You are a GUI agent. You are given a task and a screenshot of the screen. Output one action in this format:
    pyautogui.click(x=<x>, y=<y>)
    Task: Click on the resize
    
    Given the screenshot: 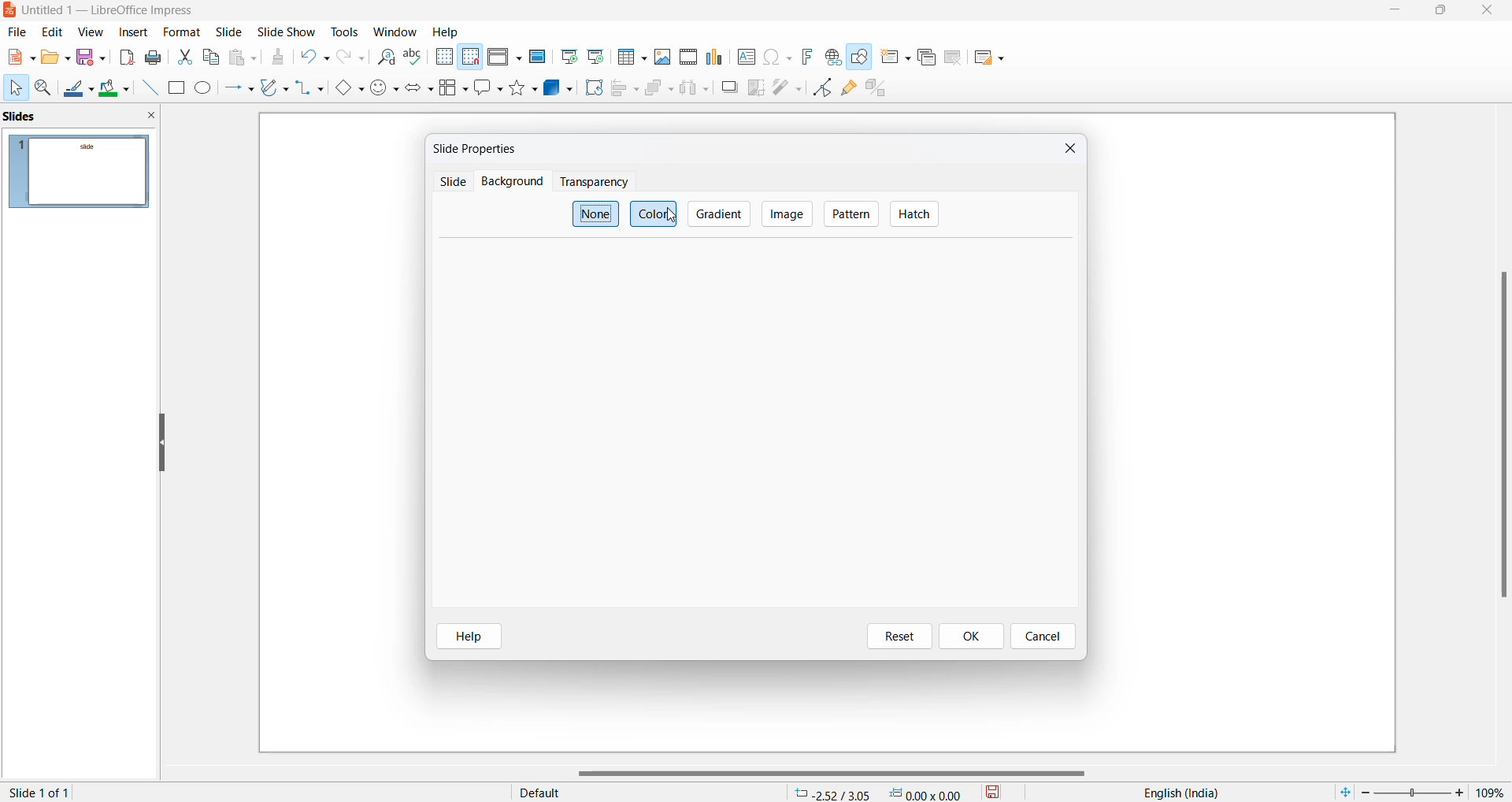 What is the action you would take?
    pyautogui.click(x=161, y=444)
    